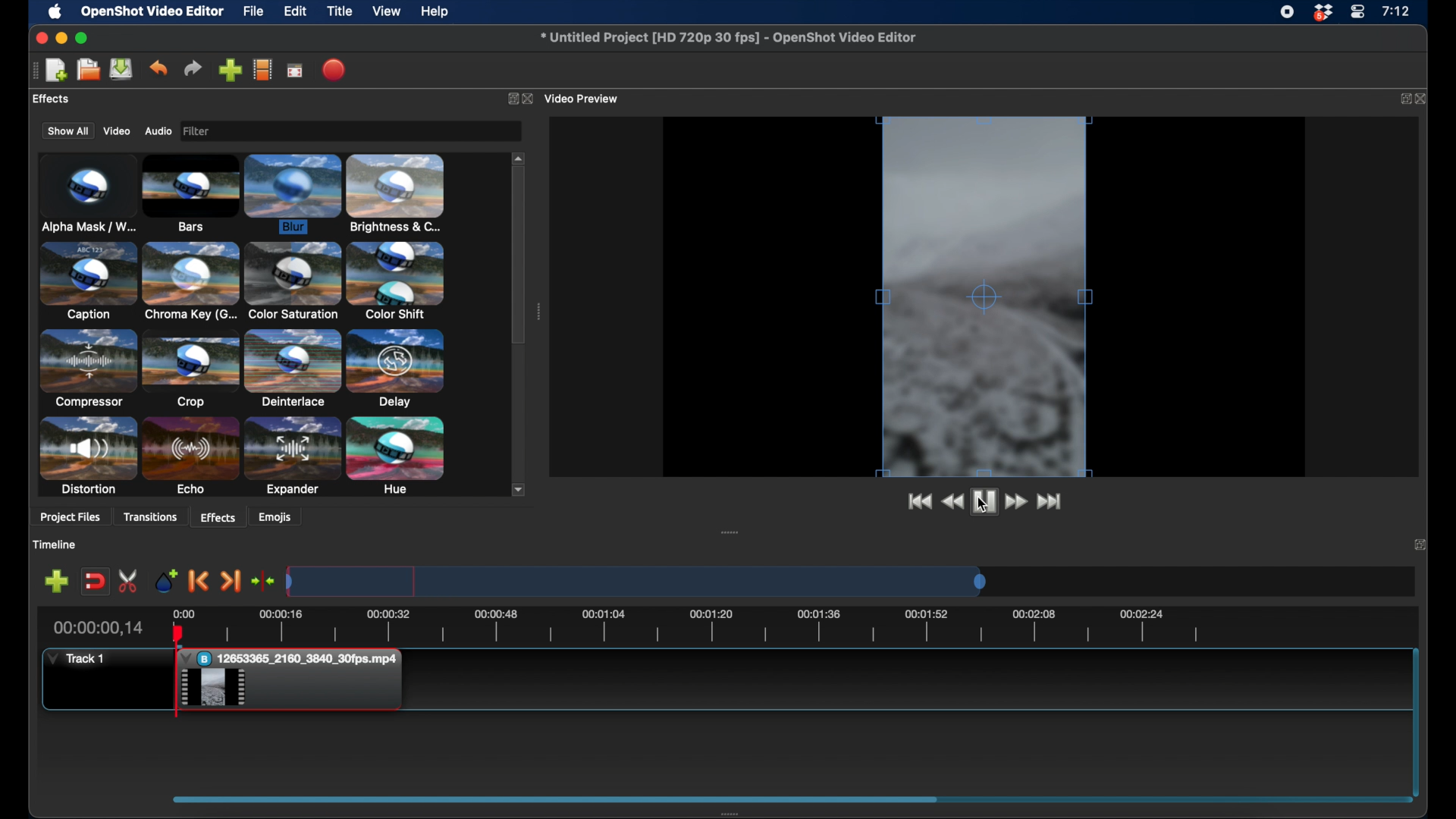  What do you see at coordinates (276, 516) in the screenshot?
I see `emojis` at bounding box center [276, 516].